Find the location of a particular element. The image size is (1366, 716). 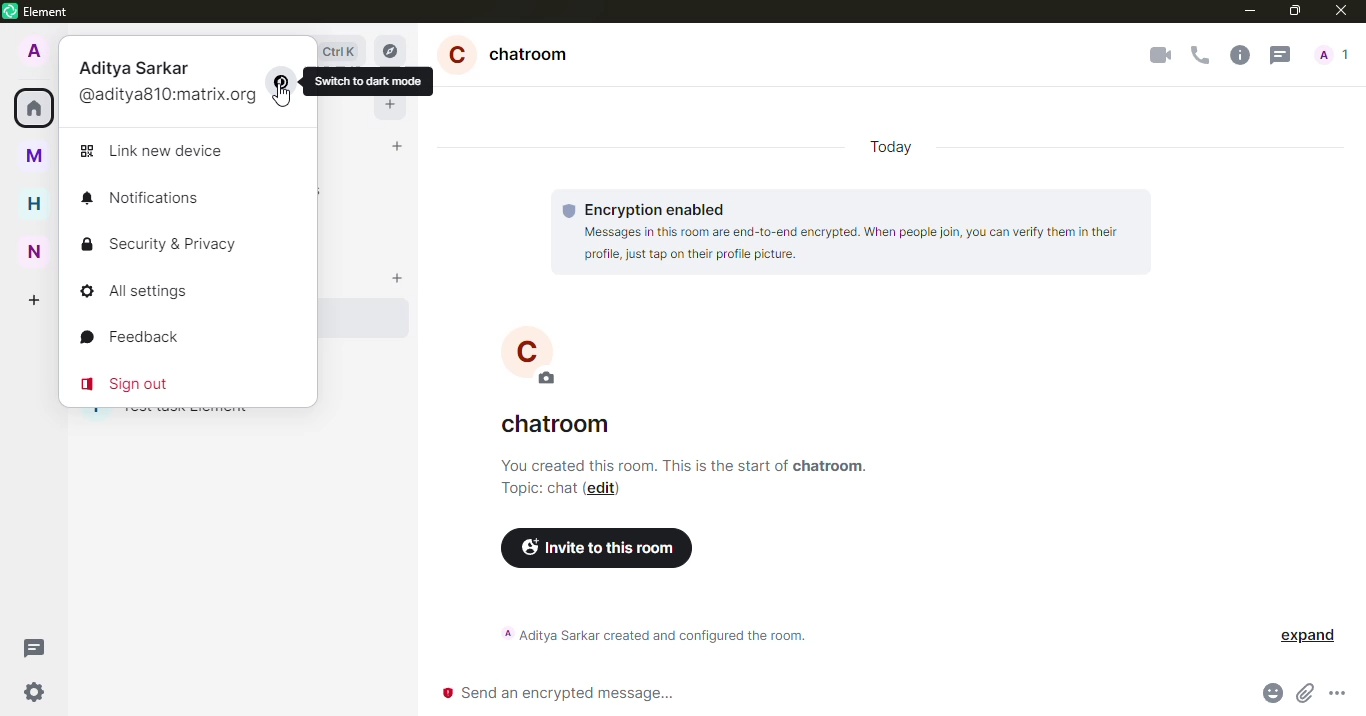

quick settings is located at coordinates (31, 691).